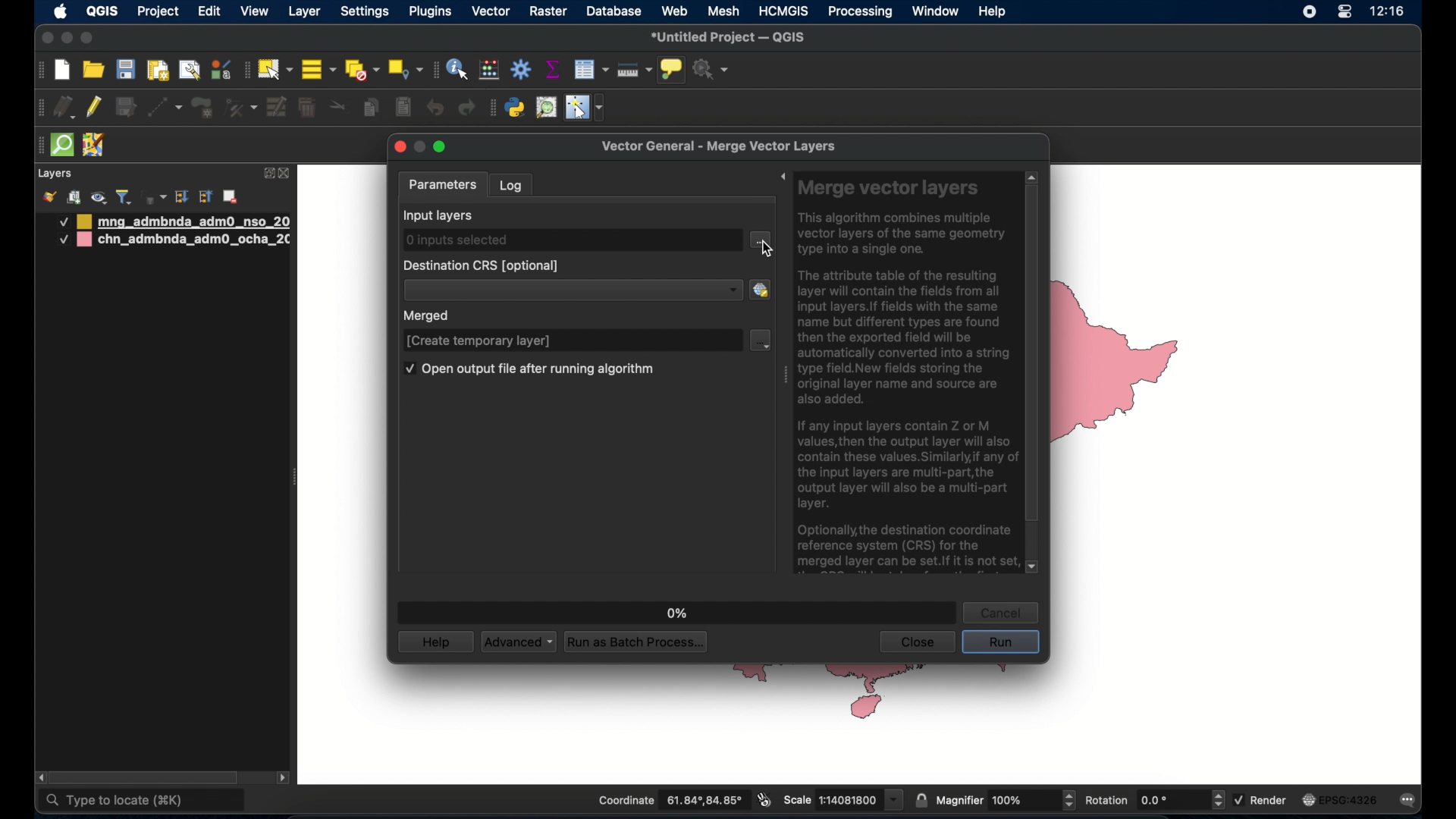  I want to click on processing, so click(861, 13).